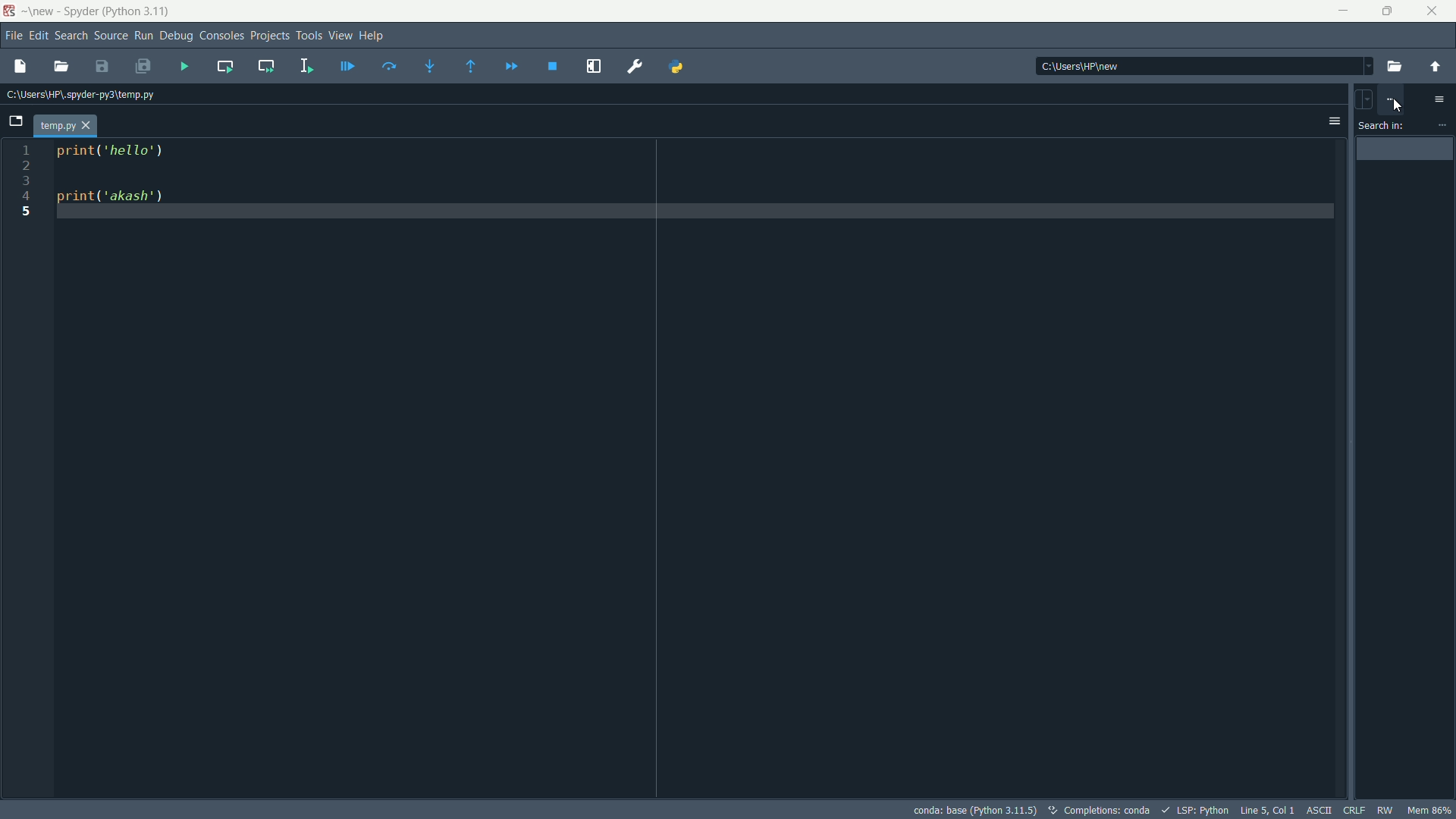 Image resolution: width=1456 pixels, height=819 pixels. I want to click on save file, so click(105, 66).